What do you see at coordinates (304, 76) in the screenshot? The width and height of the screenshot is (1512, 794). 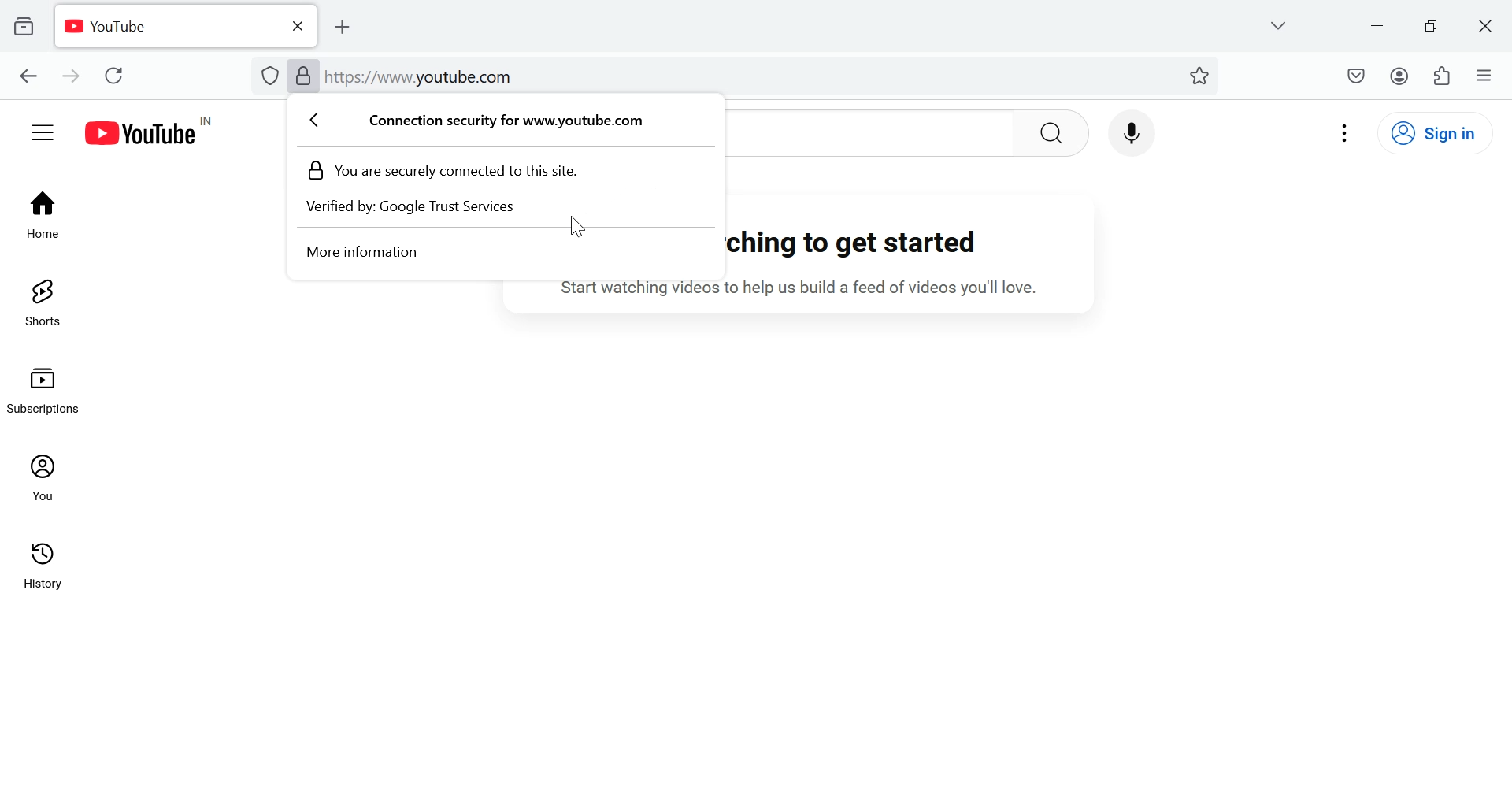 I see `Verified by: Google Trust Services` at bounding box center [304, 76].